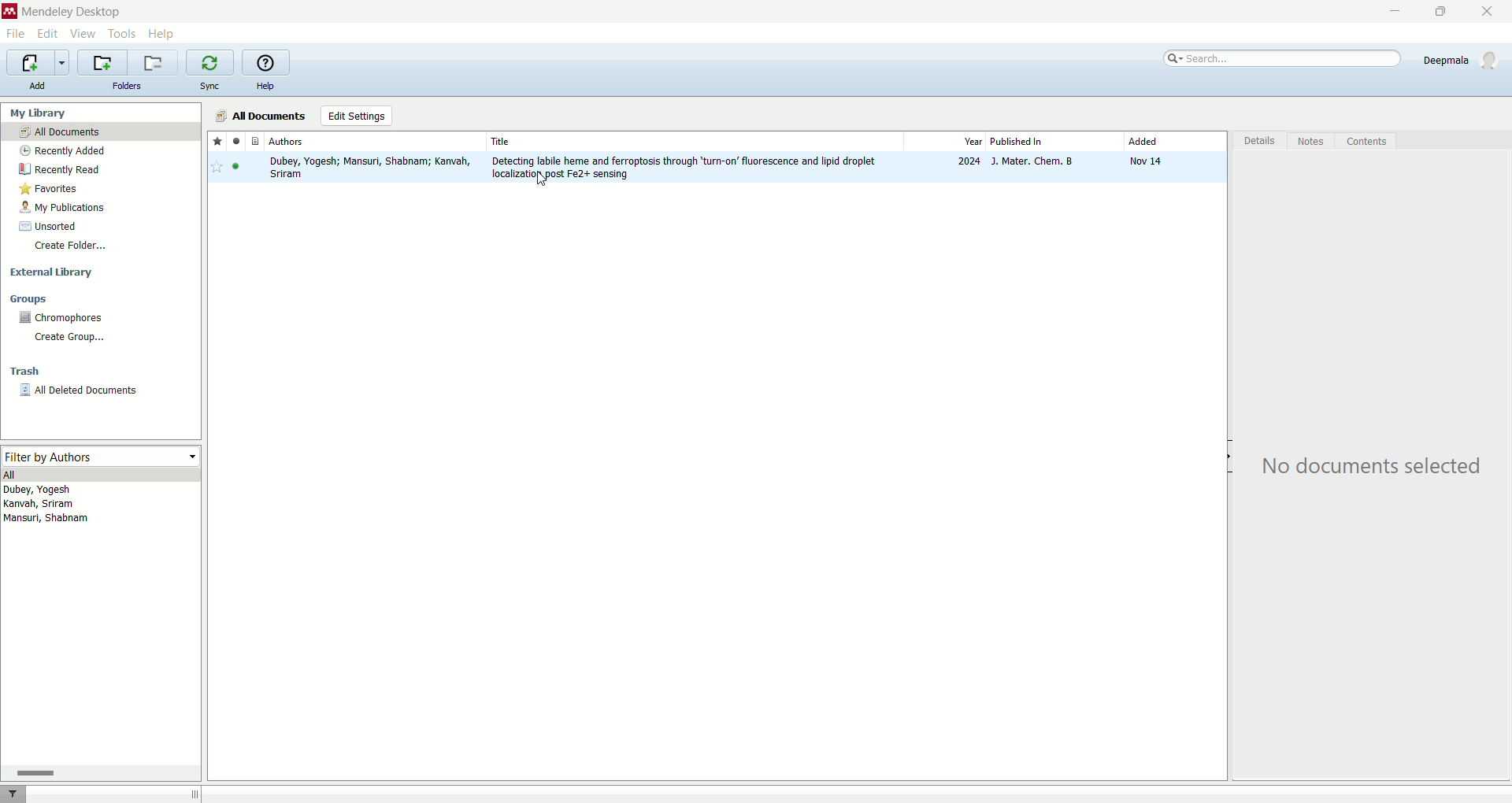 The image size is (1512, 803). Describe the element at coordinates (60, 171) in the screenshot. I see `recently read` at that location.